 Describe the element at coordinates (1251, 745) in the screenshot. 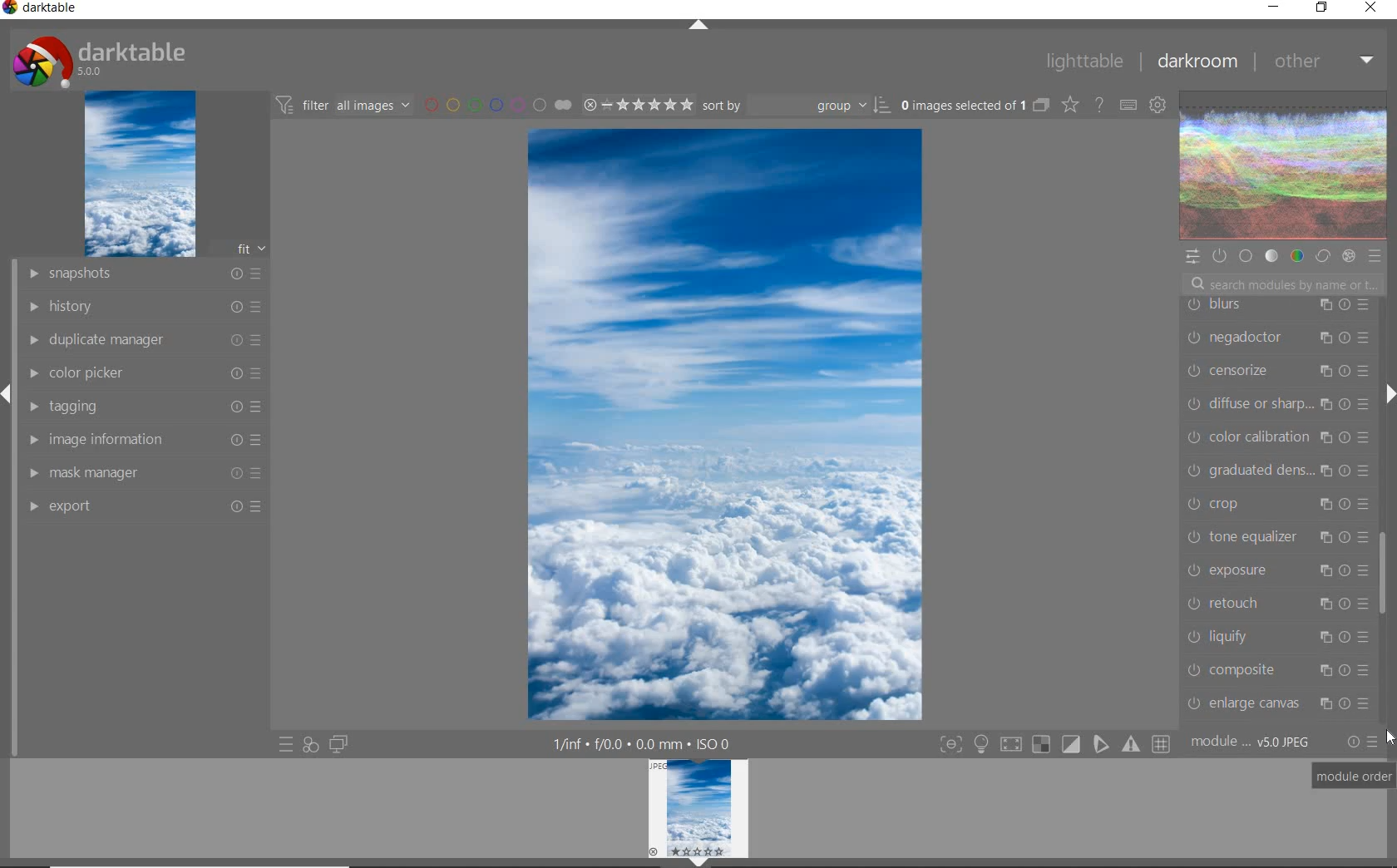

I see `module ... v5.0 JPEG` at that location.